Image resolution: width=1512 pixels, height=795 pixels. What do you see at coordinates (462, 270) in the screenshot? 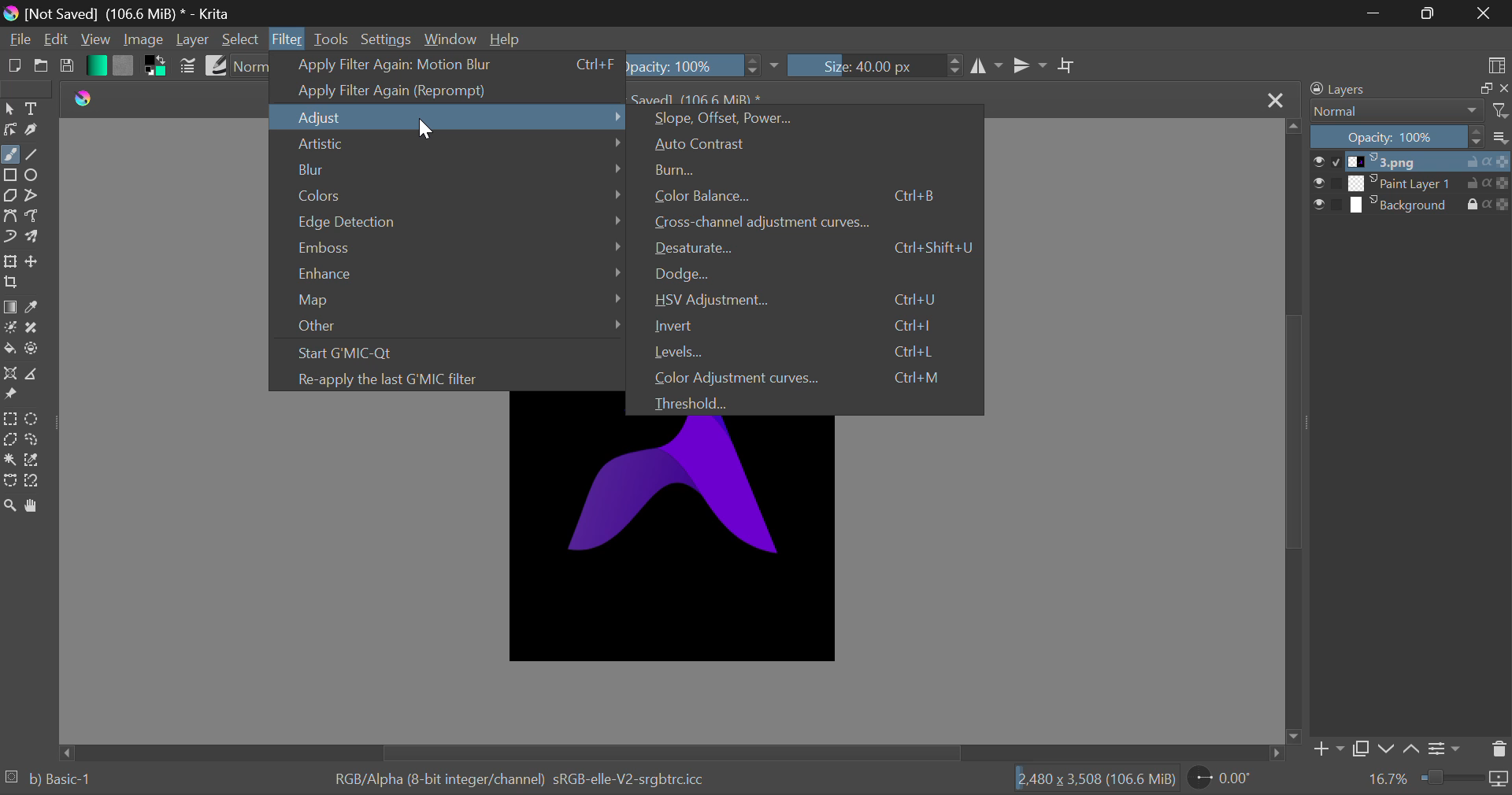
I see `Enhance` at bounding box center [462, 270].